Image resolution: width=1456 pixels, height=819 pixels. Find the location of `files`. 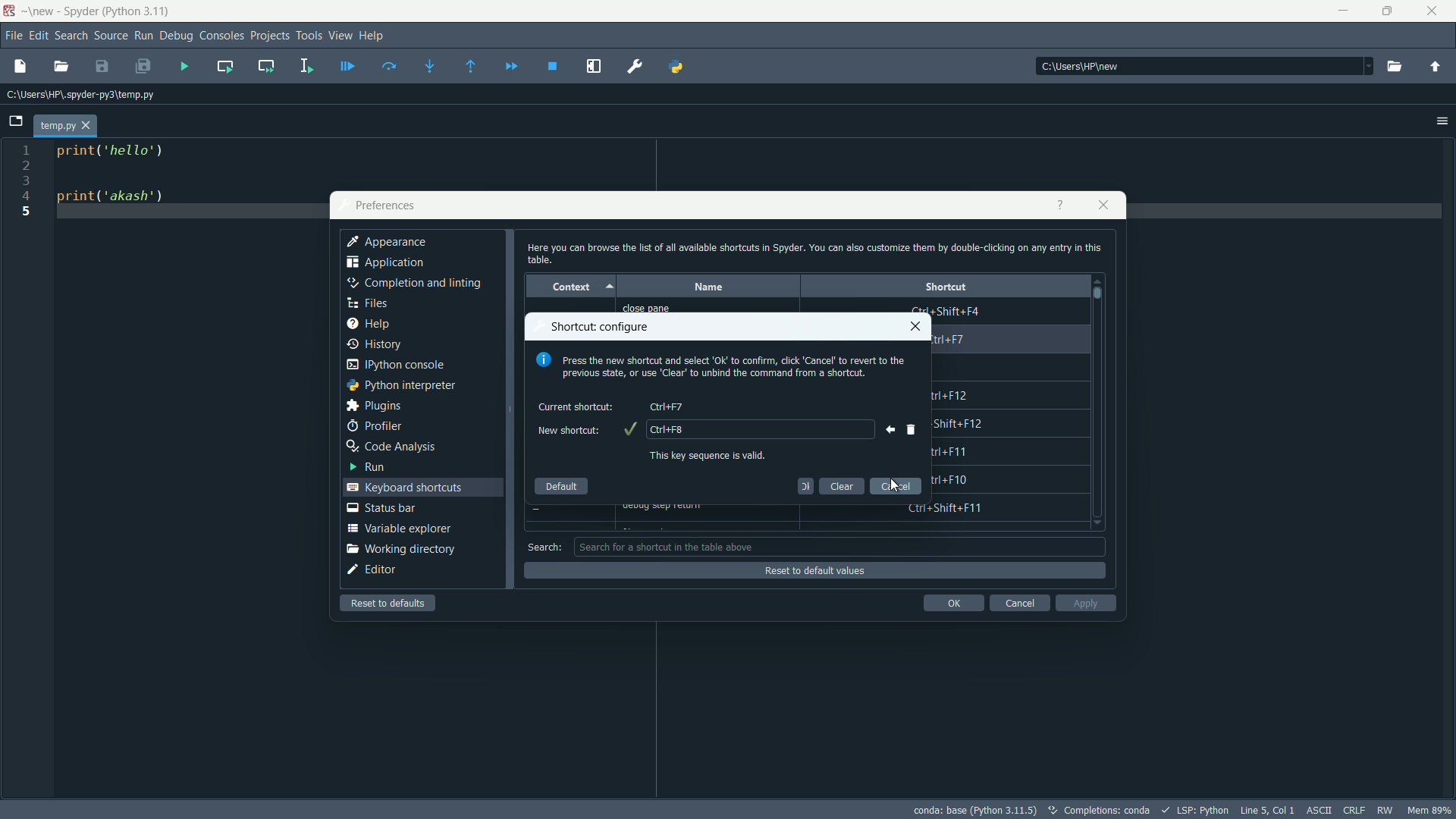

files is located at coordinates (366, 303).